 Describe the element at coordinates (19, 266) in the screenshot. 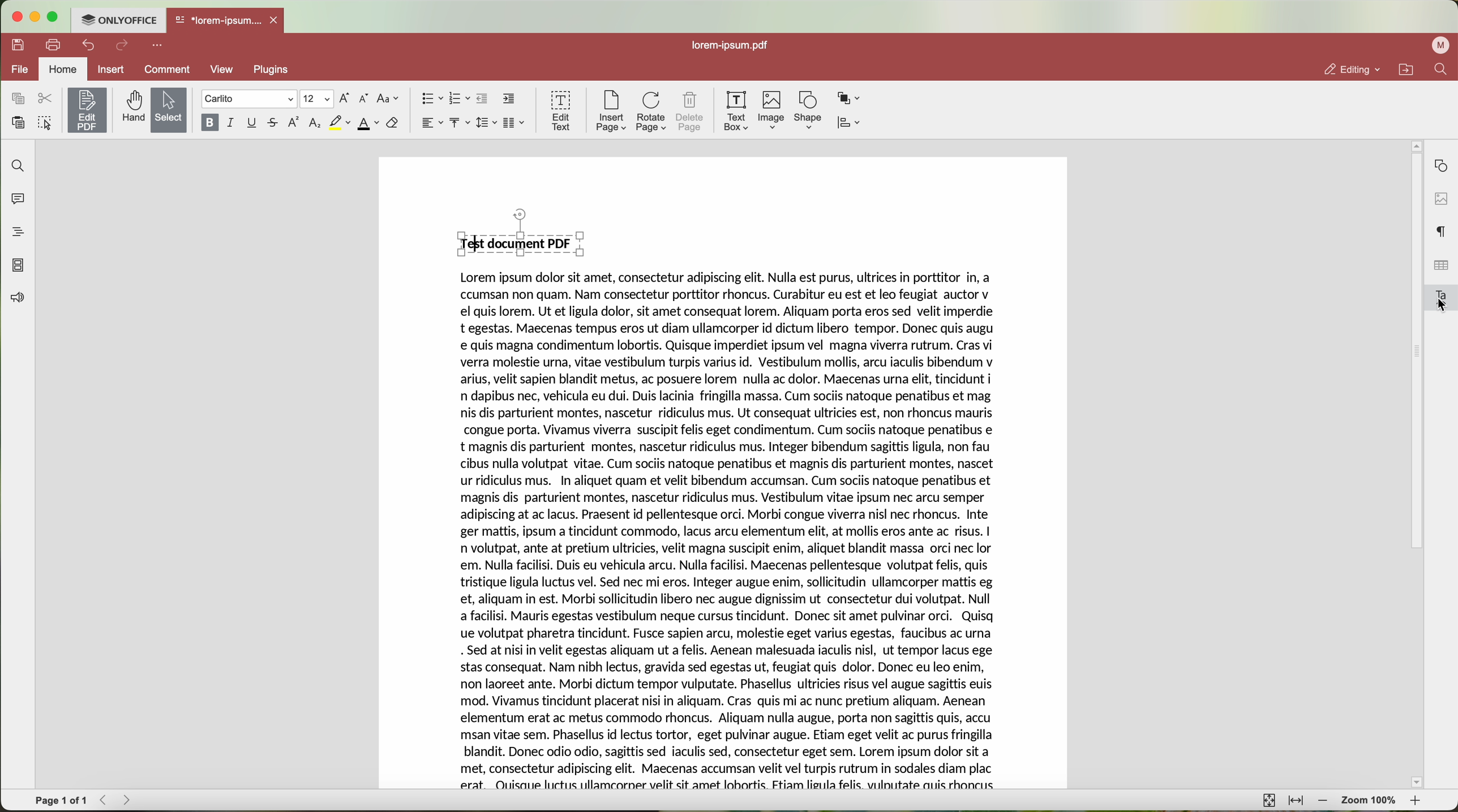

I see `page thumbnails` at that location.